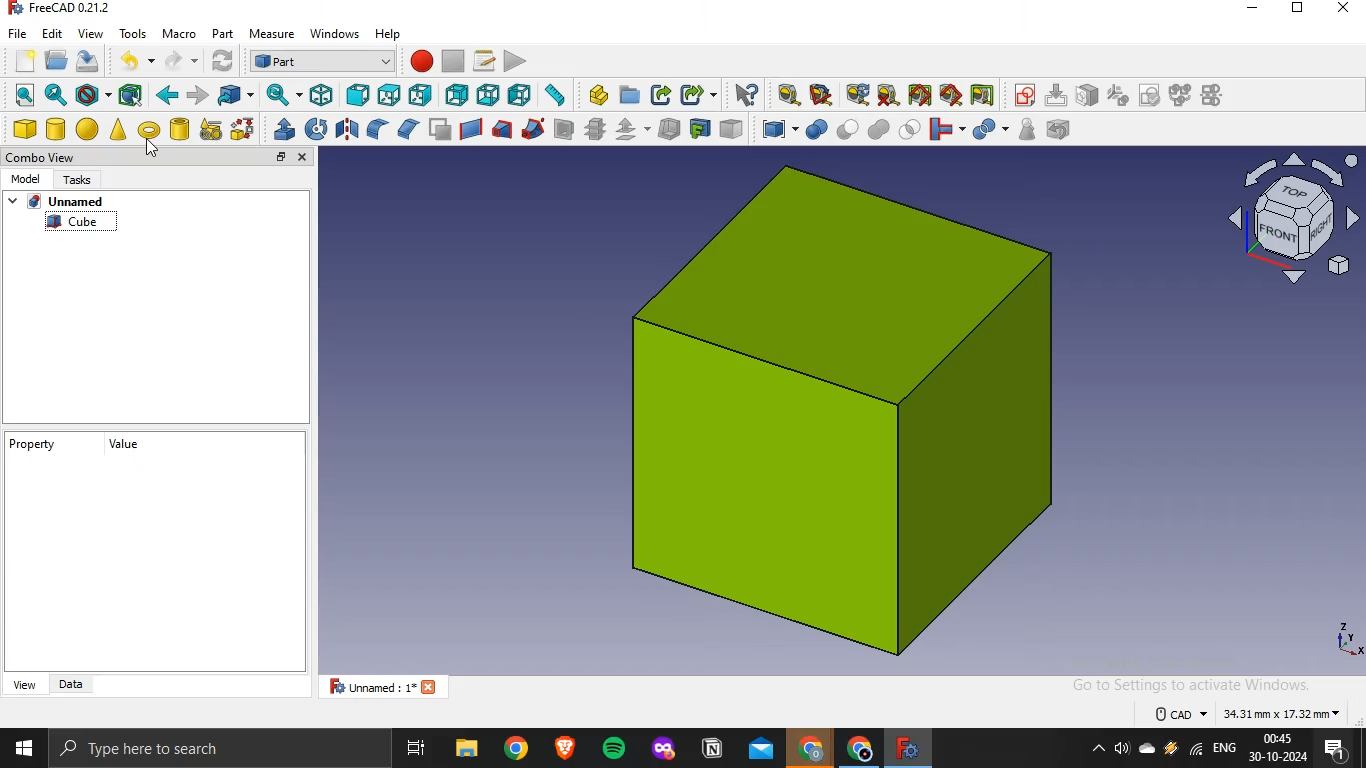  What do you see at coordinates (456, 95) in the screenshot?
I see `rear` at bounding box center [456, 95].